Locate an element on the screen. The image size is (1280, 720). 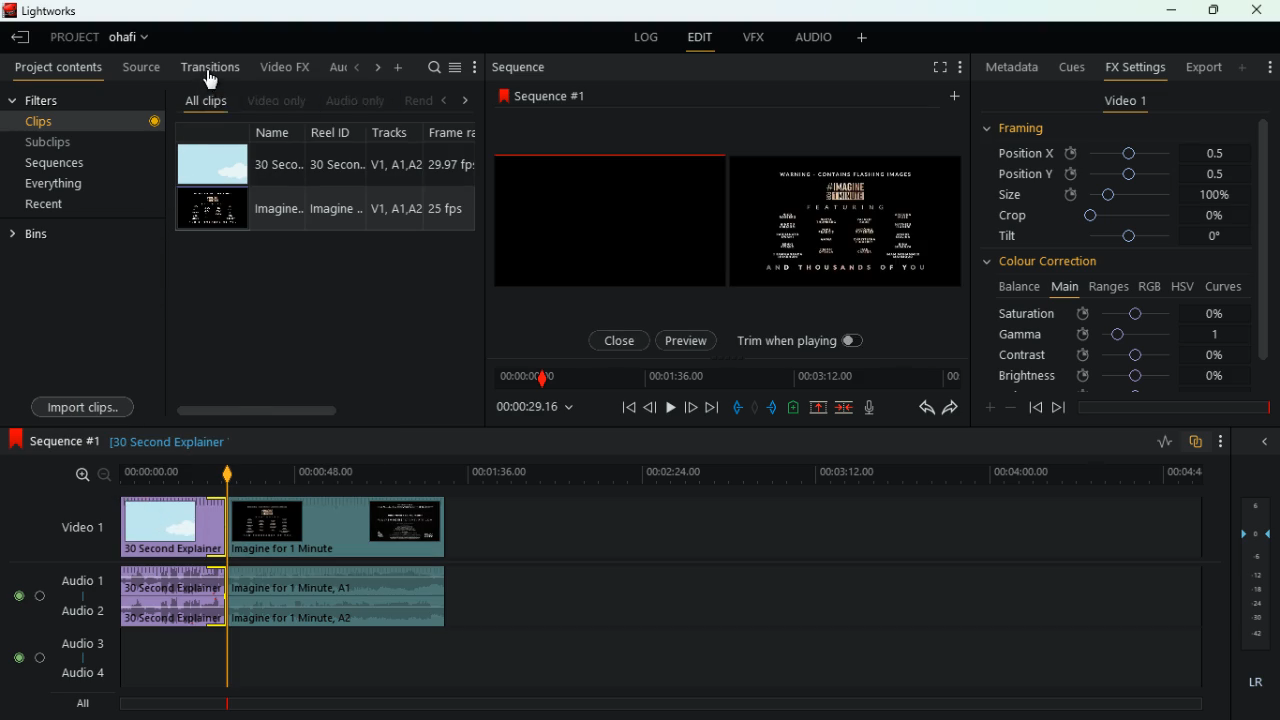
time is located at coordinates (660, 474).